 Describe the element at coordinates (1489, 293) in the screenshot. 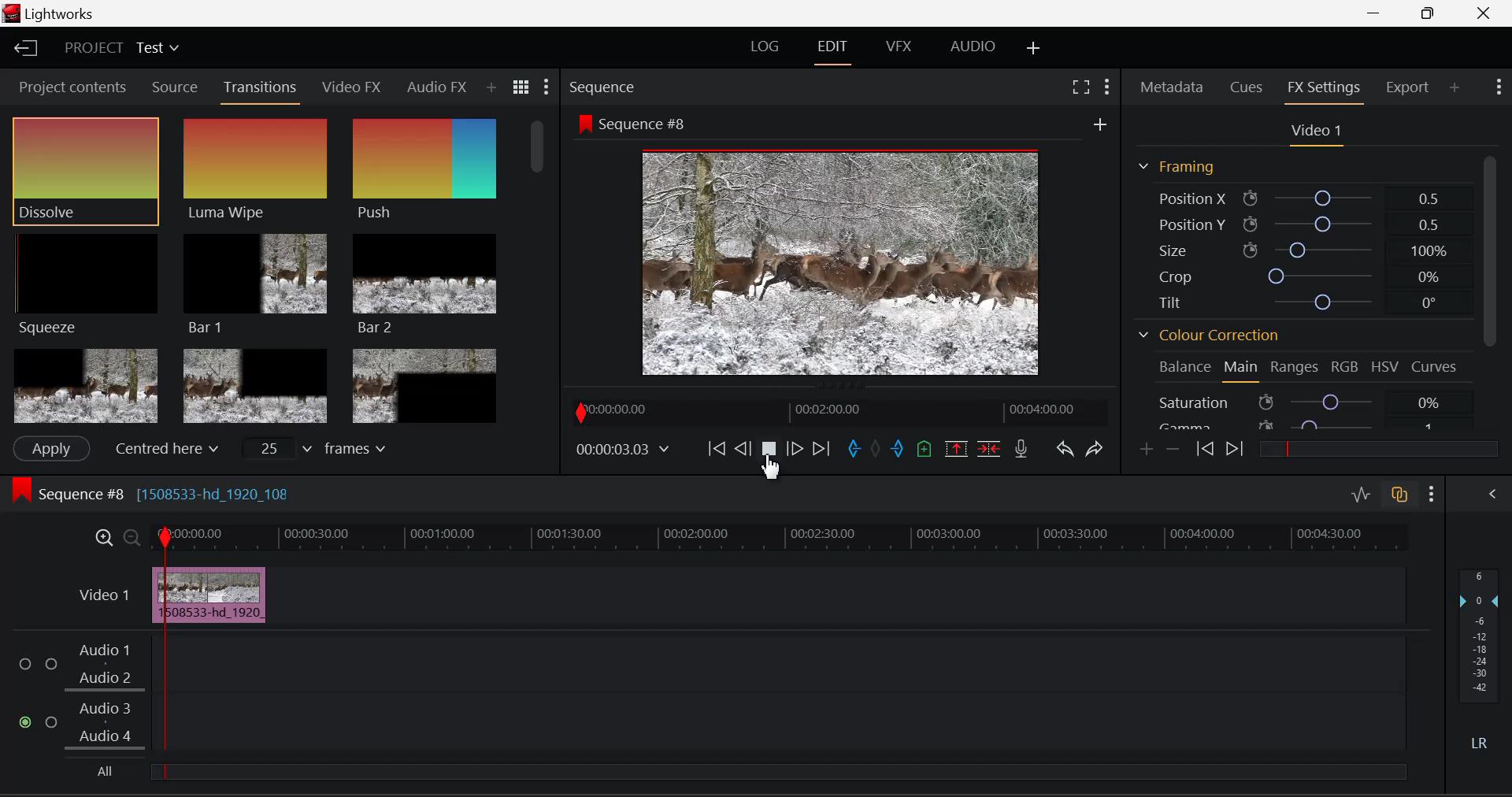

I see `Scroll Bar` at that location.